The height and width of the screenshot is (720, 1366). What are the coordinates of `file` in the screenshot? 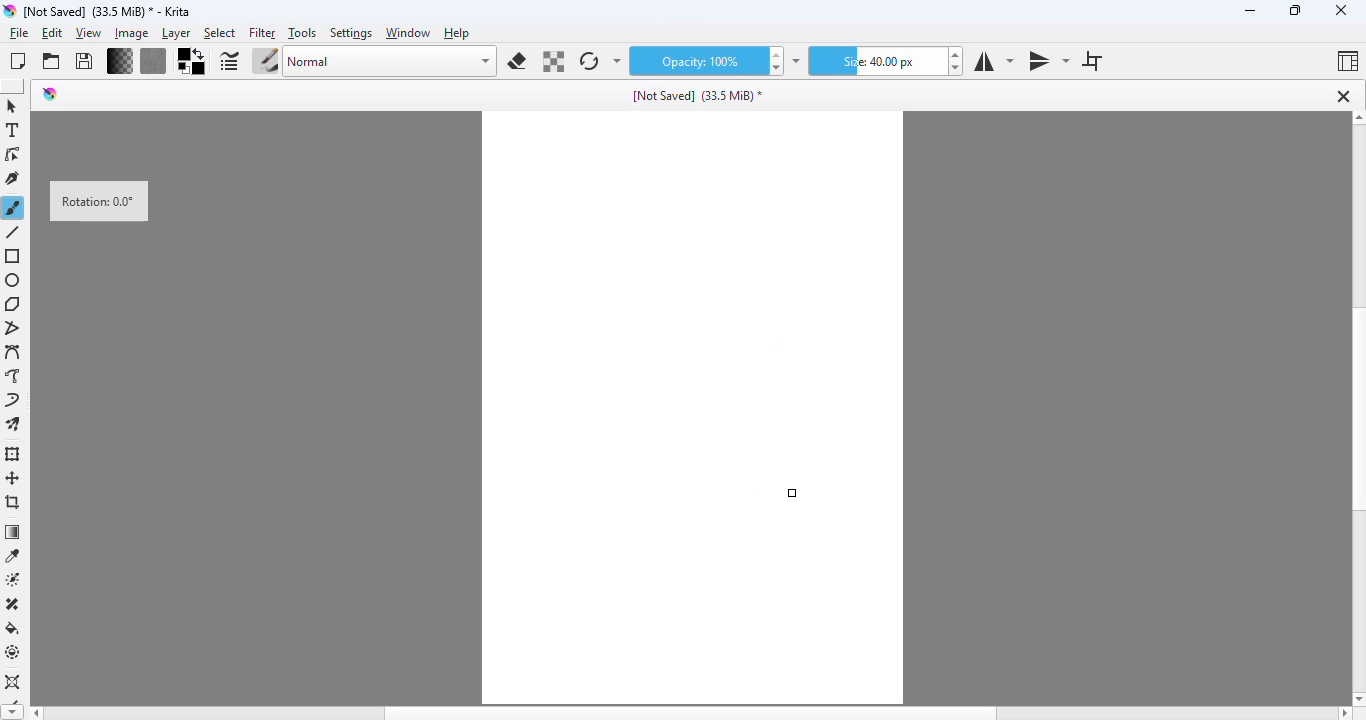 It's located at (19, 33).